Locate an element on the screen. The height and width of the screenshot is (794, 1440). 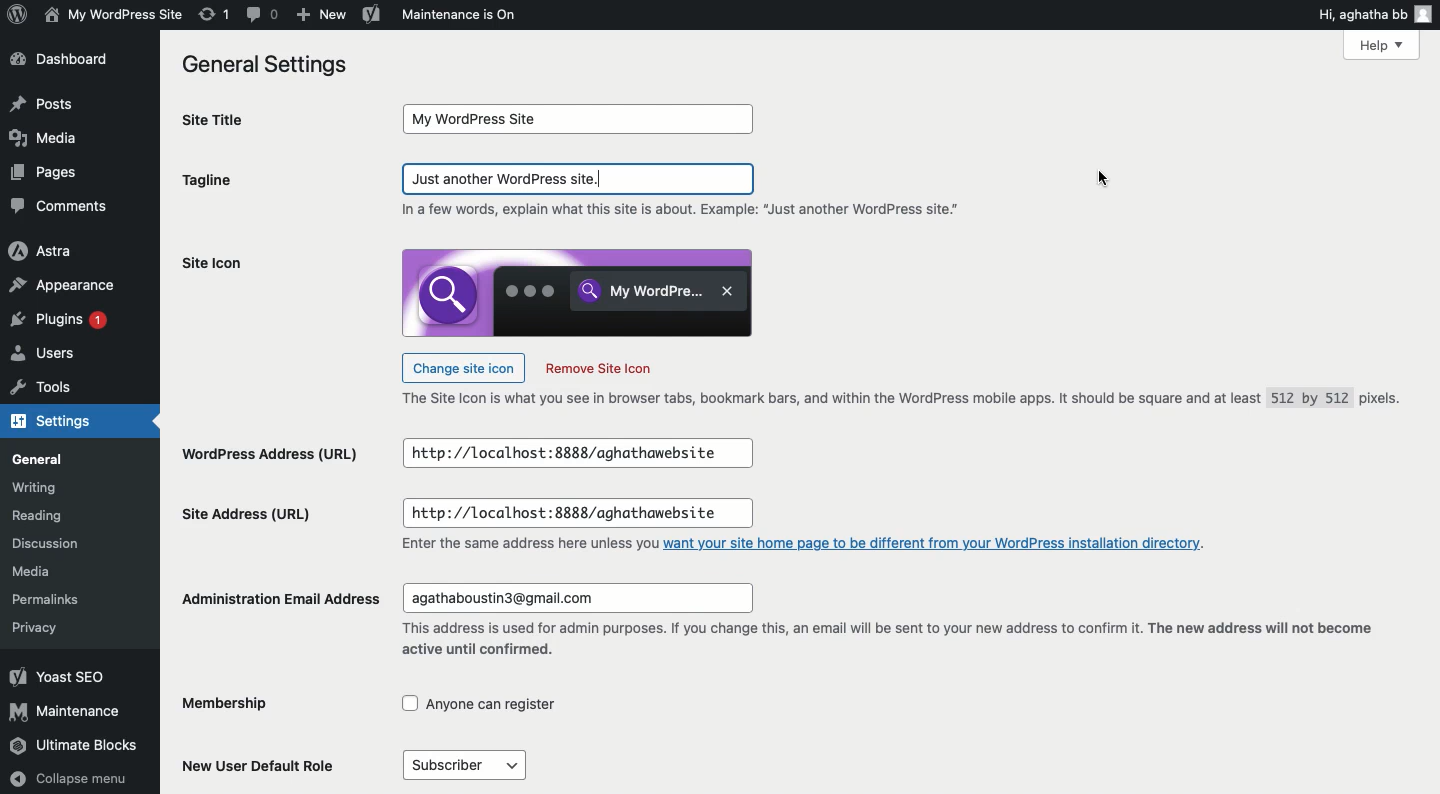
input box is located at coordinates (576, 598).